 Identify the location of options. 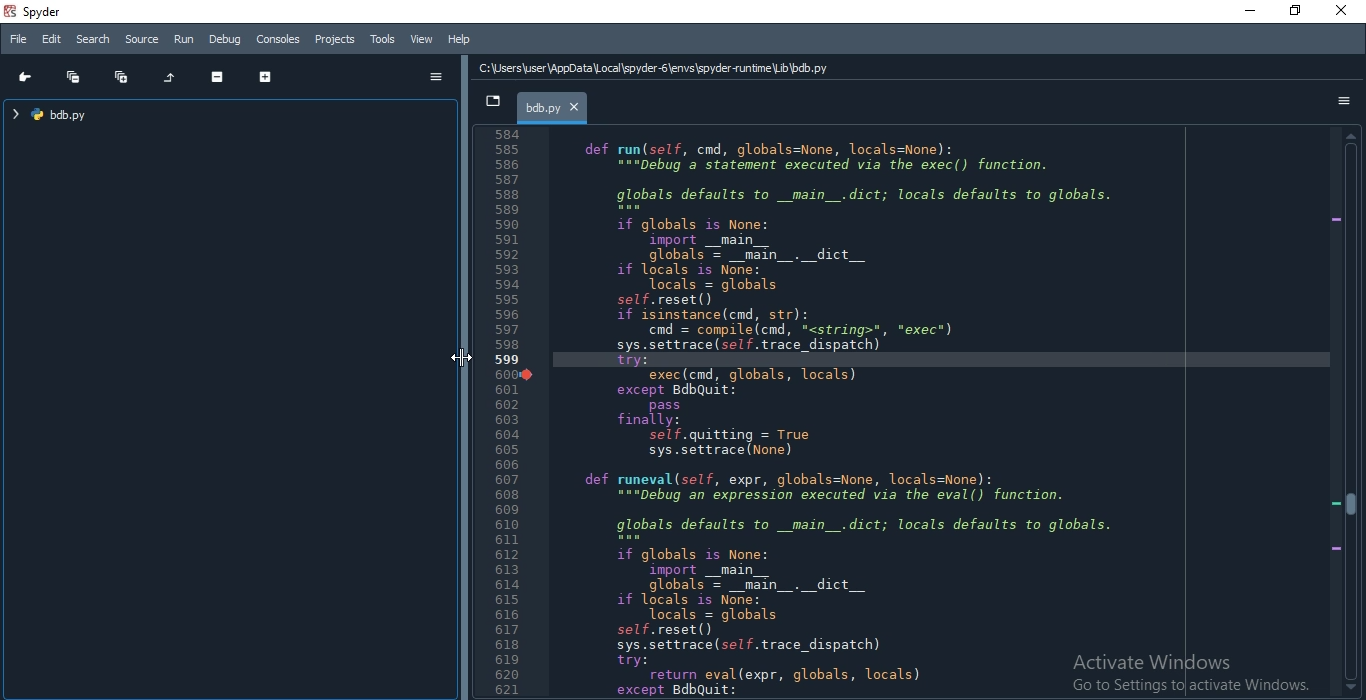
(436, 77).